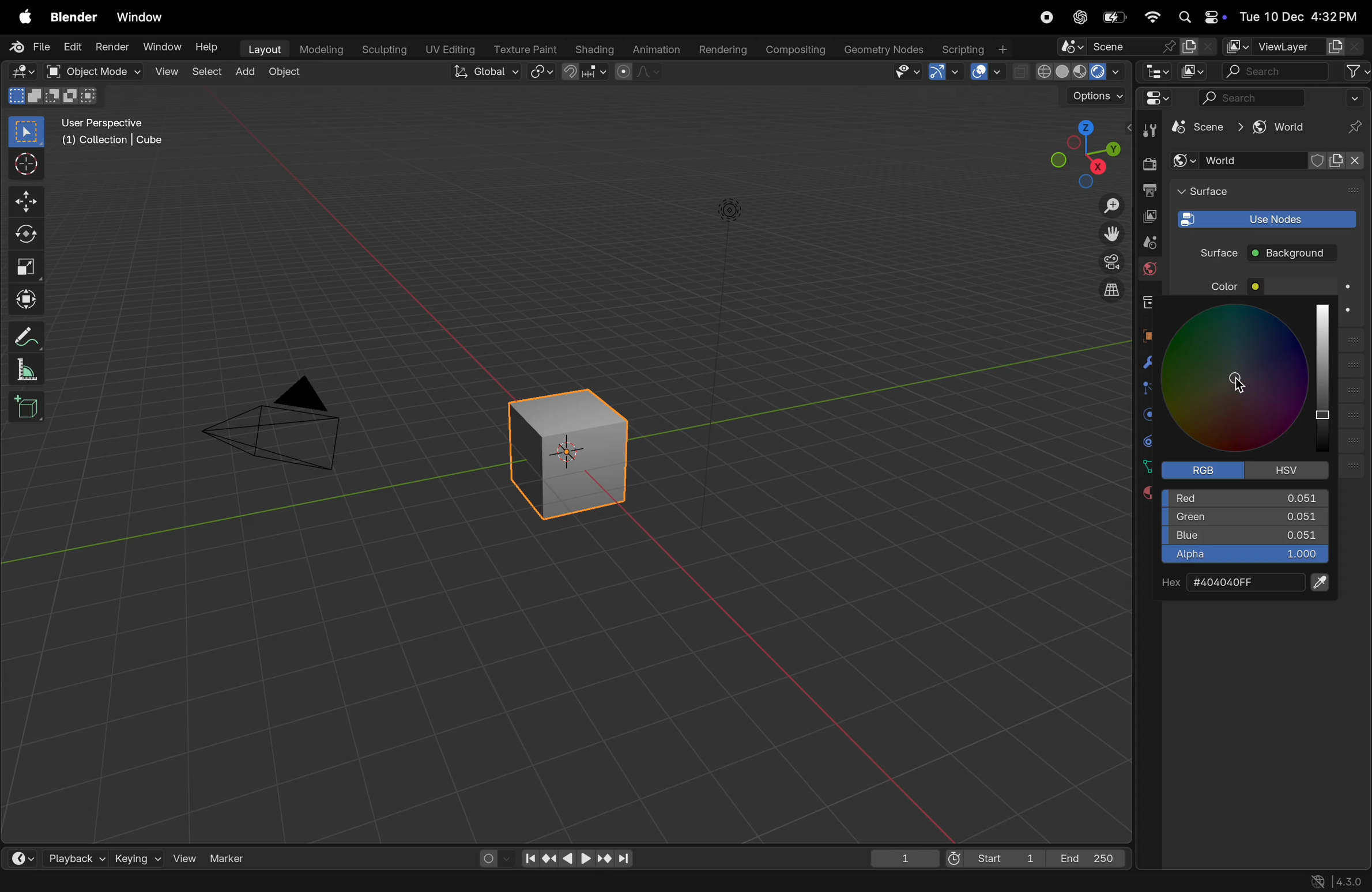 The image size is (1372, 892). Describe the element at coordinates (977, 48) in the screenshot. I see `scripting` at that location.